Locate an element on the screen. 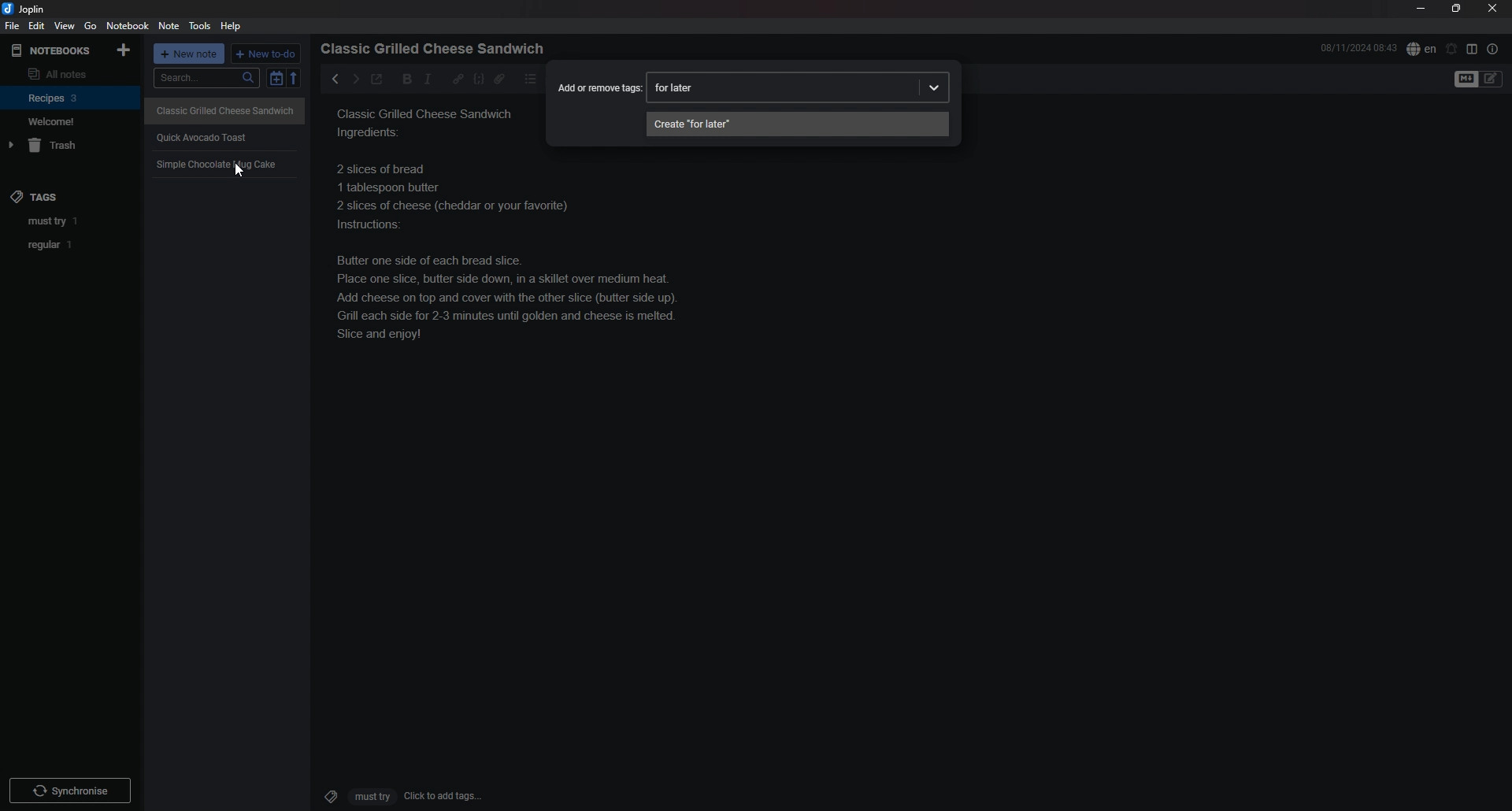  tag is located at coordinates (72, 245).